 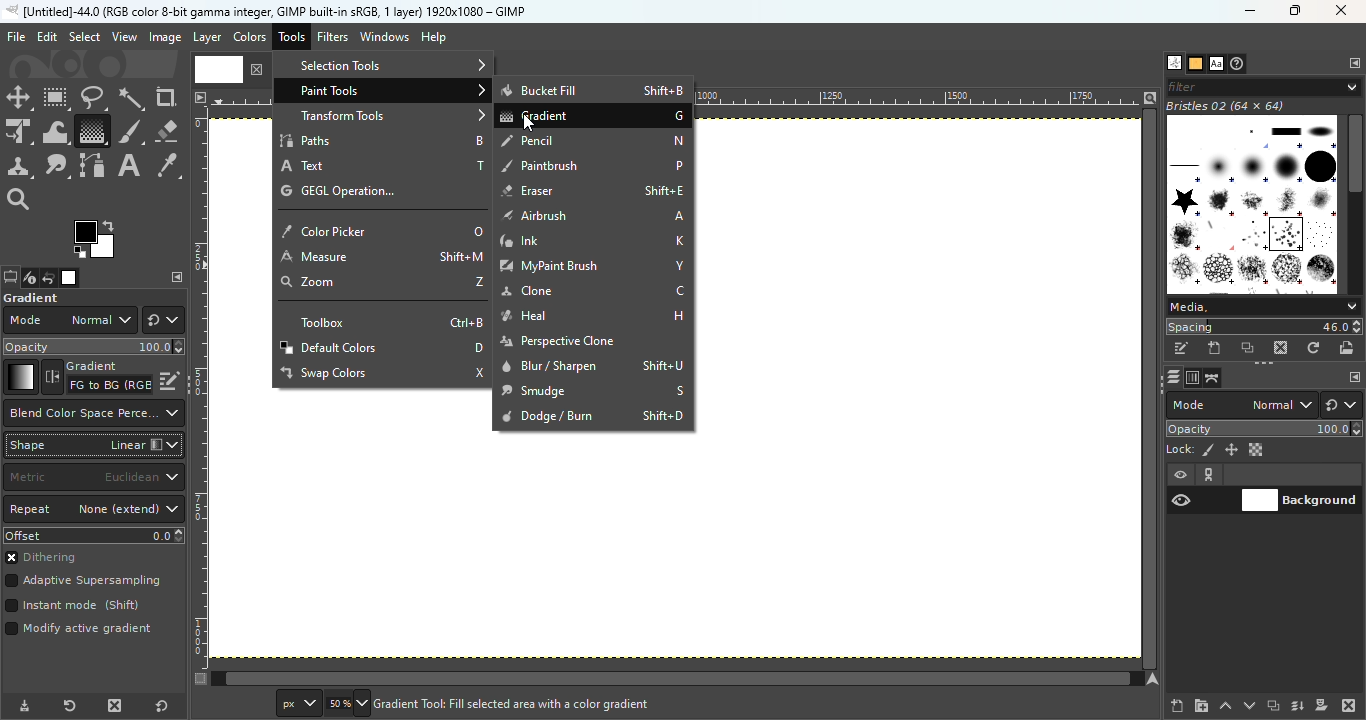 I want to click on My paint brush, so click(x=591, y=266).